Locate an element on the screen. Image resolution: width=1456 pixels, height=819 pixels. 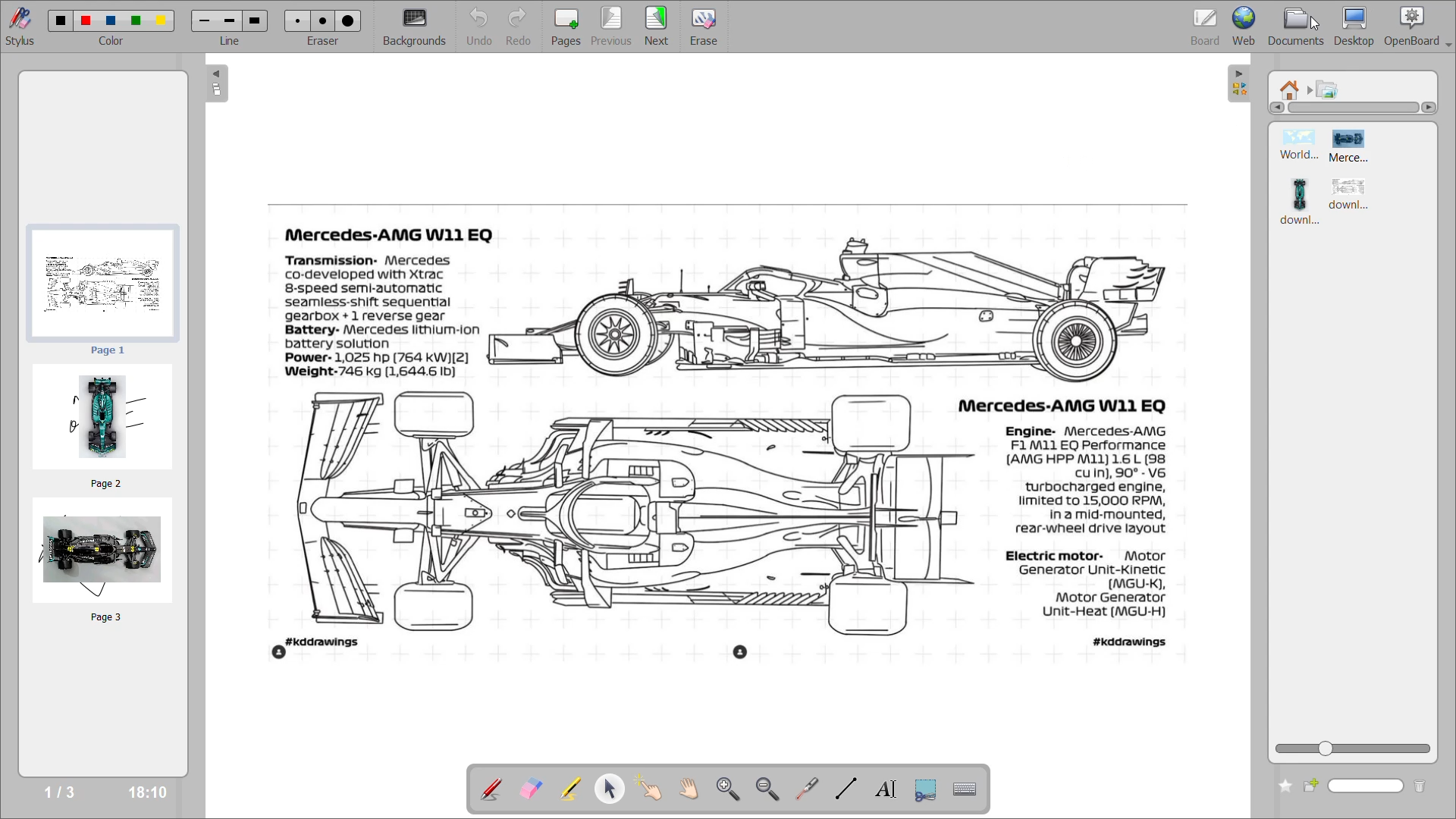
Mercedes-AMG W11 EQ is located at coordinates (385, 234).